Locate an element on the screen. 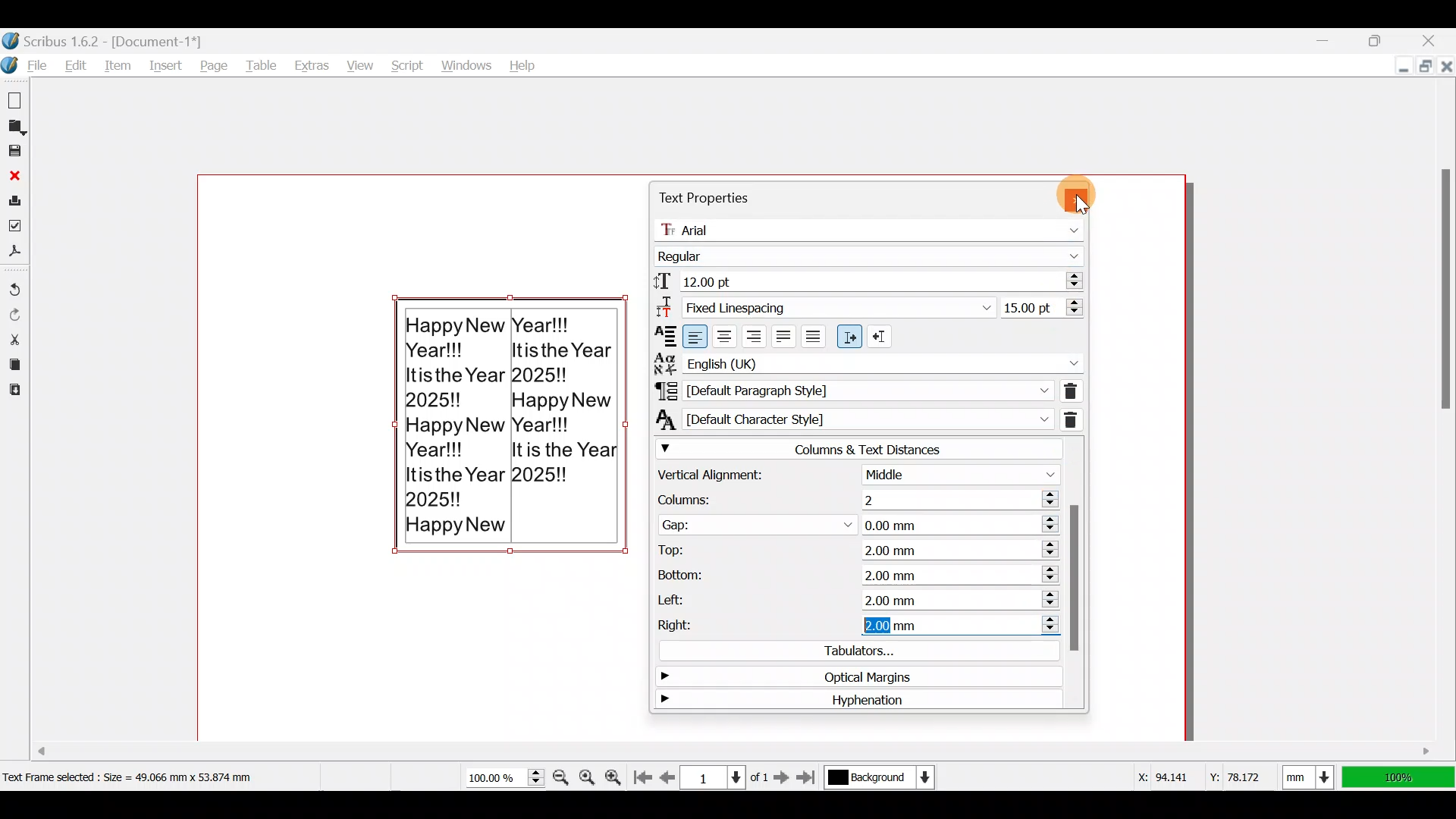  Align text center is located at coordinates (727, 334).